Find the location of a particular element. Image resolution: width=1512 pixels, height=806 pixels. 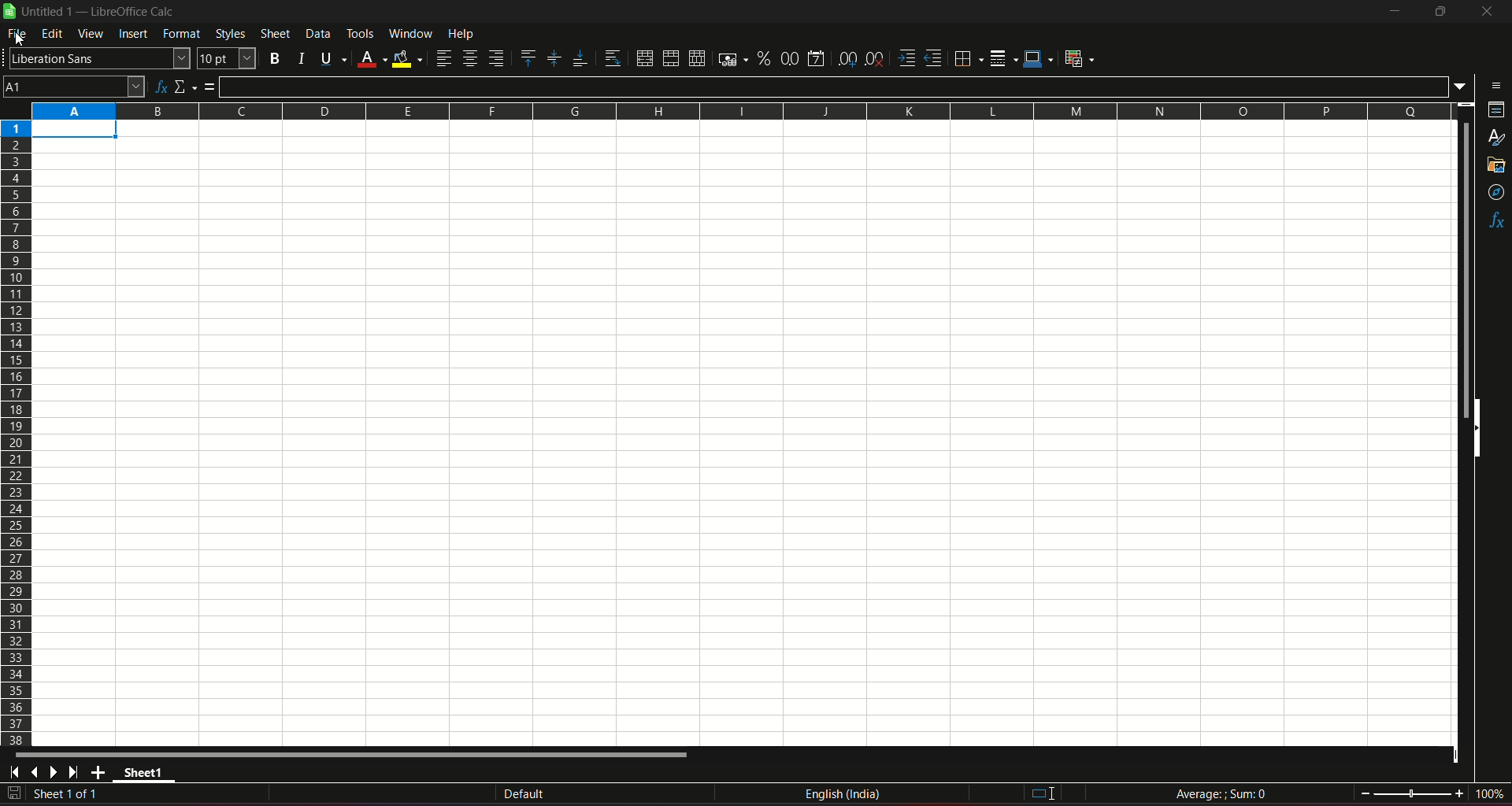

previous sheet is located at coordinates (36, 774).